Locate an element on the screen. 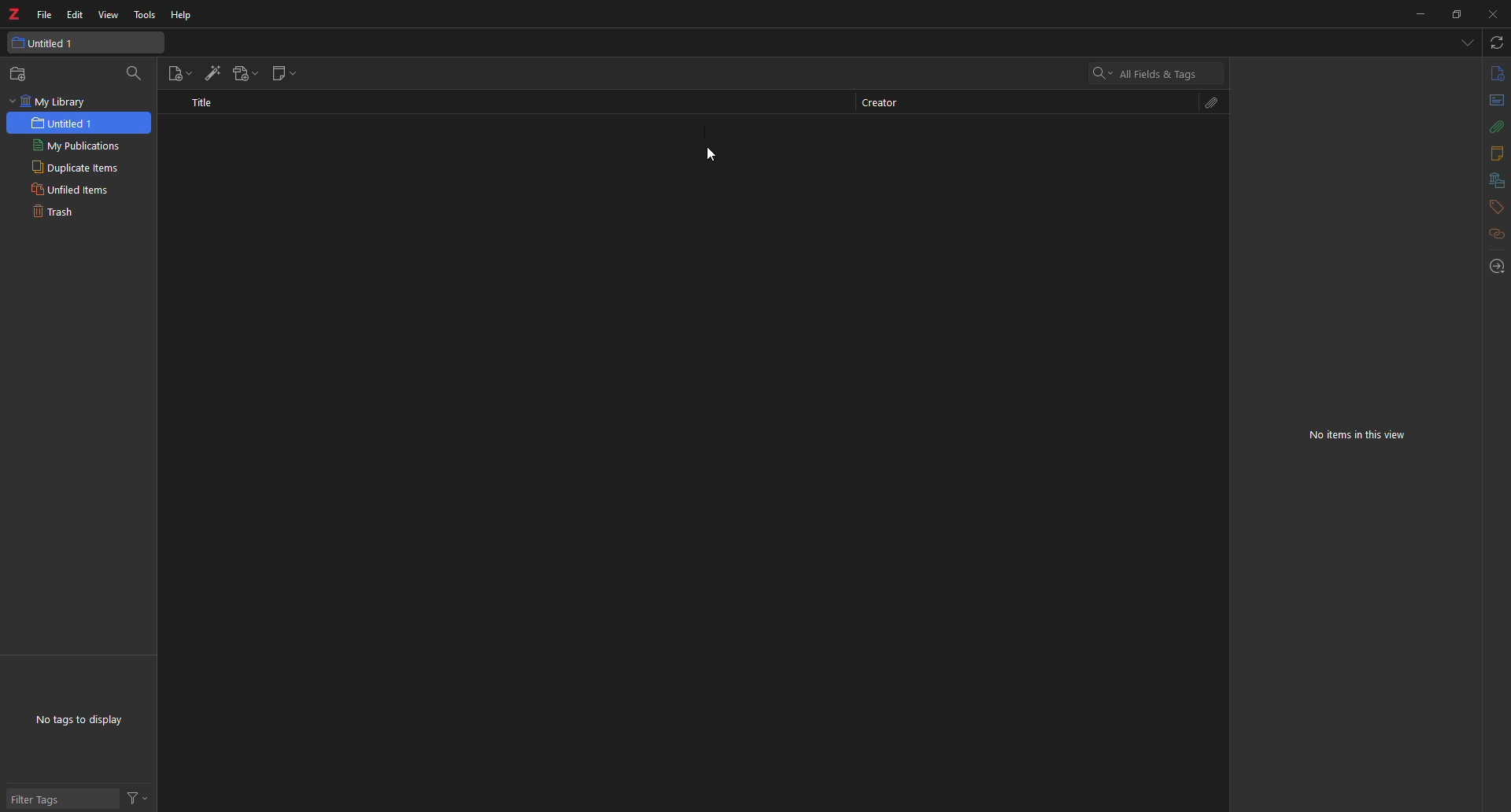 Image resolution: width=1511 pixels, height=812 pixels. no tags is located at coordinates (87, 718).